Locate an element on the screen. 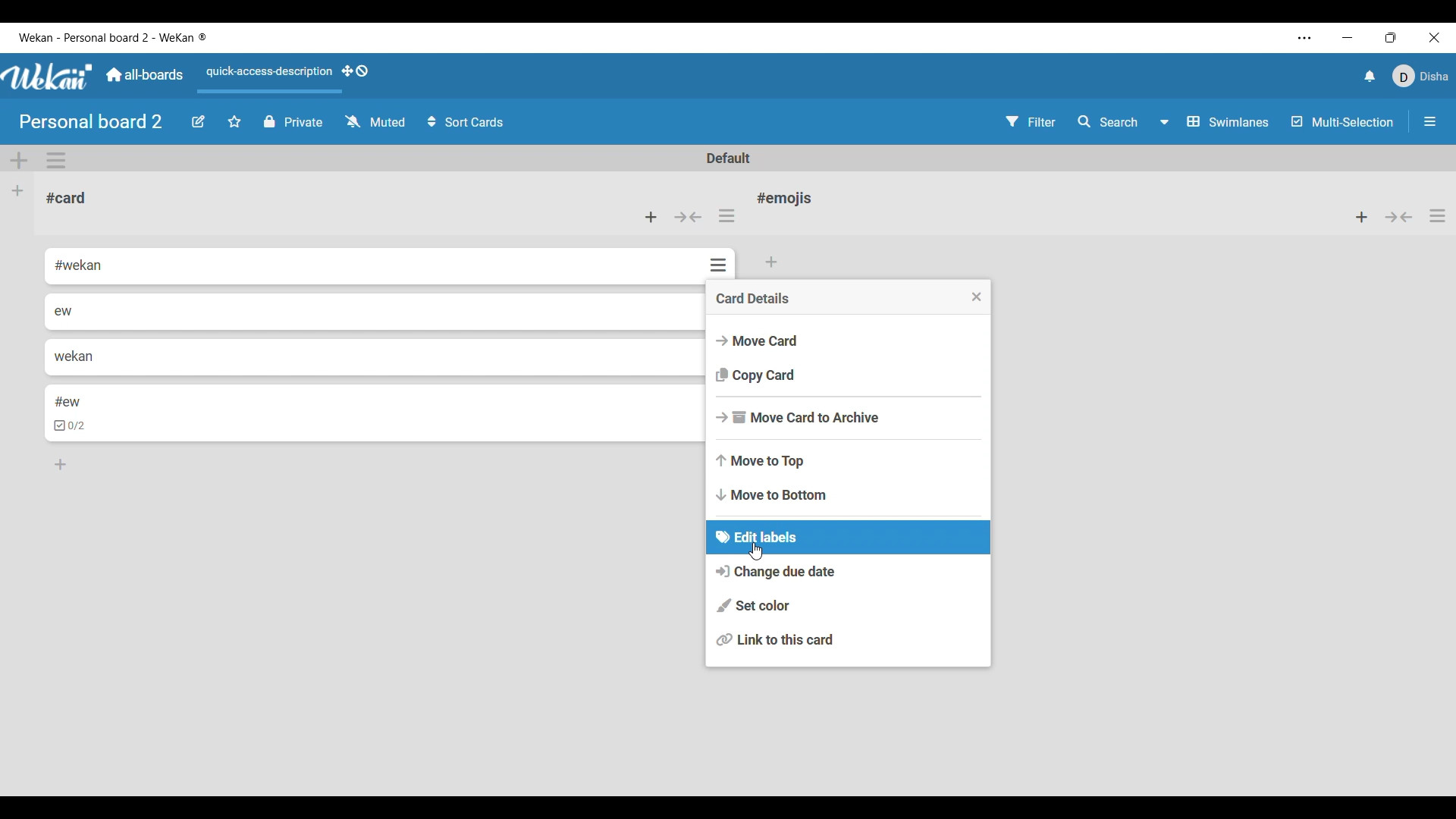 This screenshot has width=1456, height=819. Go to common dashboard is located at coordinates (145, 74).